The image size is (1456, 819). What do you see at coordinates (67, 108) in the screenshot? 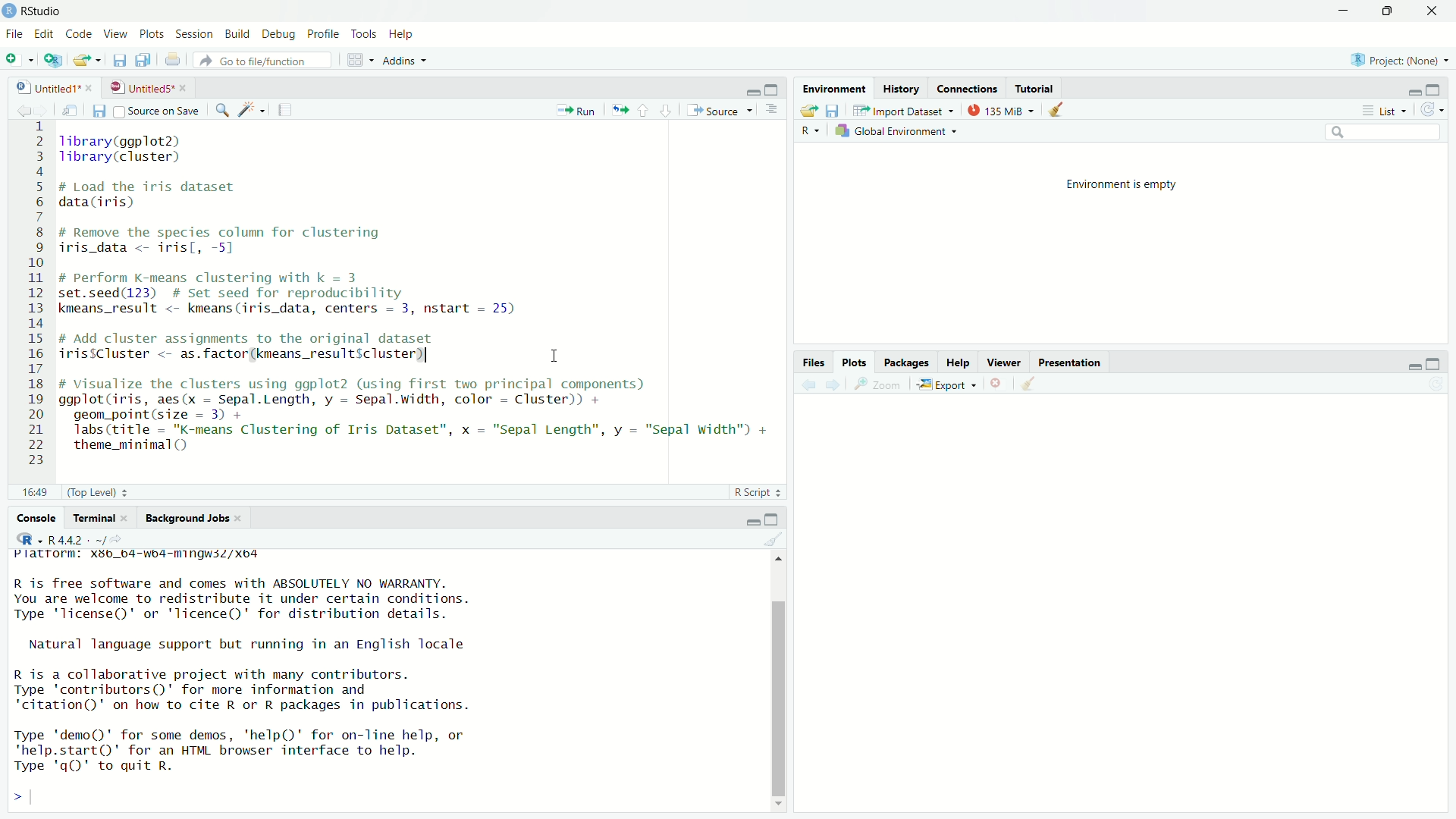
I see `show in new window` at bounding box center [67, 108].